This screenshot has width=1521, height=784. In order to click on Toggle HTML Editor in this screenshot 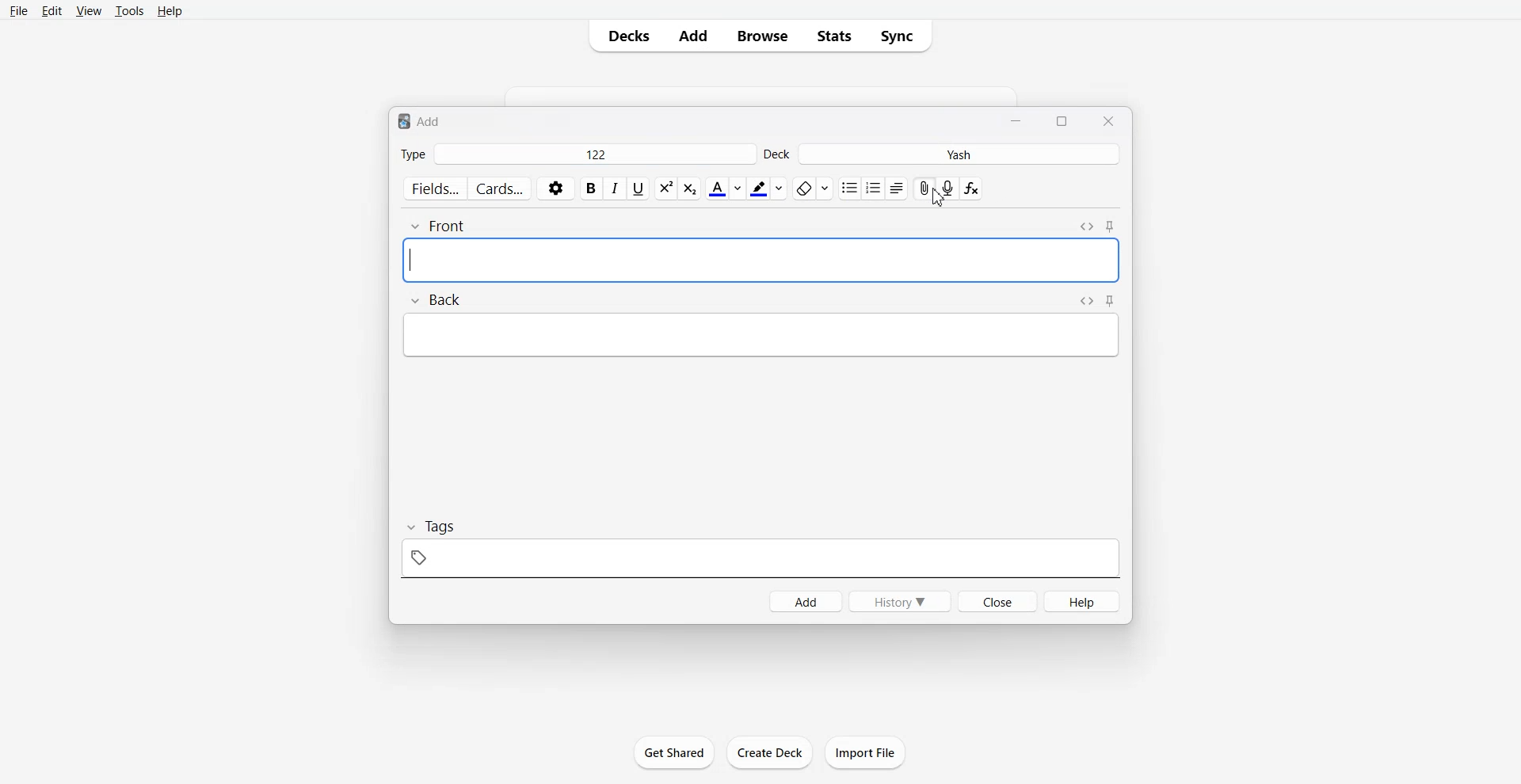, I will do `click(1086, 226)`.